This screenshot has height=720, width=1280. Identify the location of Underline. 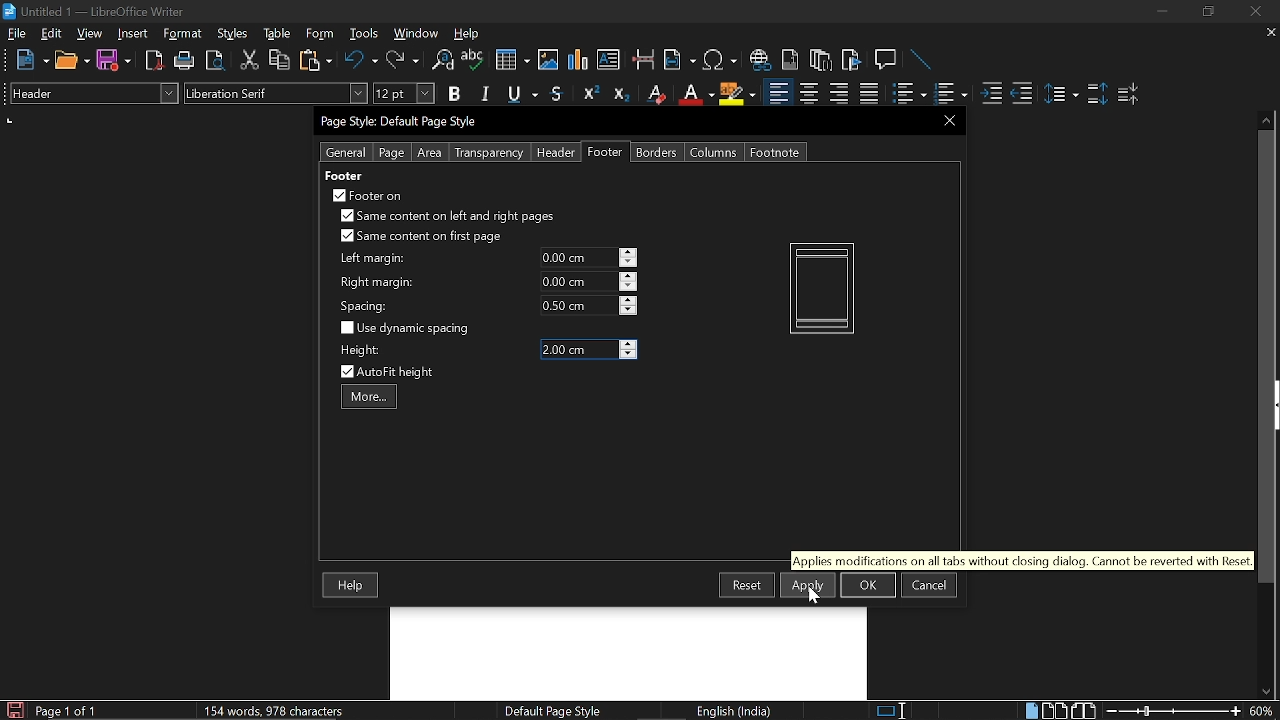
(524, 95).